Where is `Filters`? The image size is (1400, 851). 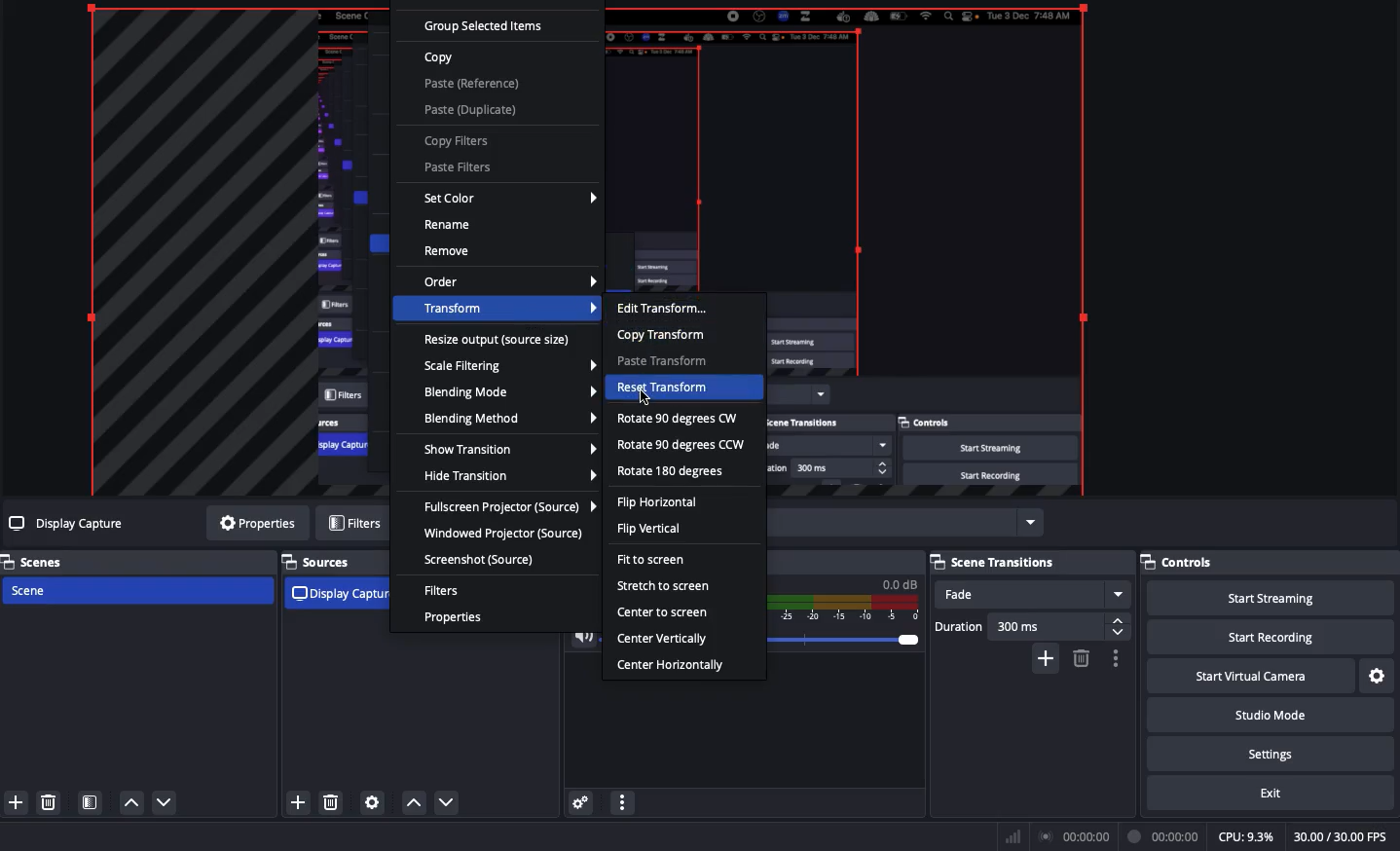
Filters is located at coordinates (447, 592).